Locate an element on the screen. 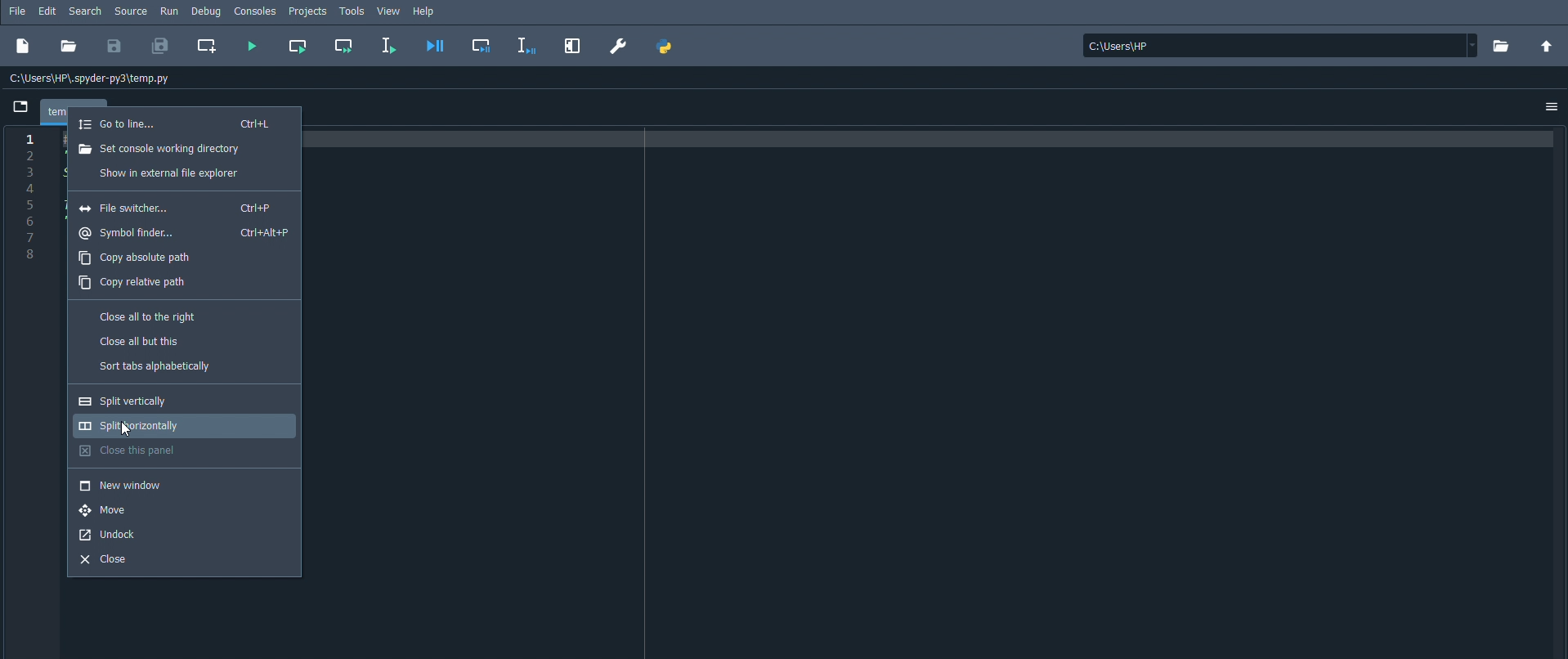 The image size is (1568, 659). Close all but this is located at coordinates (141, 342).